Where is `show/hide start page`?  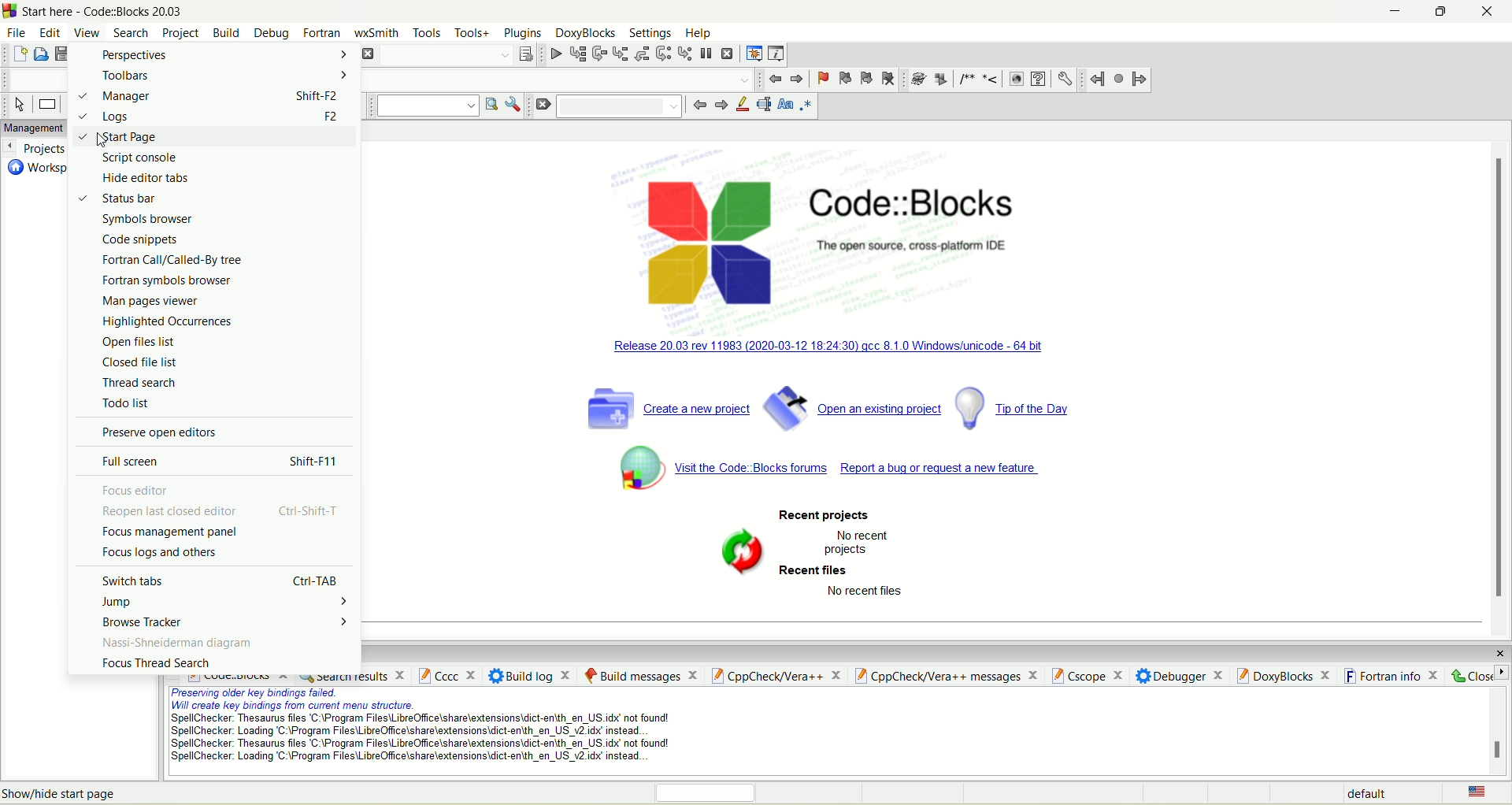 show/hide start page is located at coordinates (63, 794).